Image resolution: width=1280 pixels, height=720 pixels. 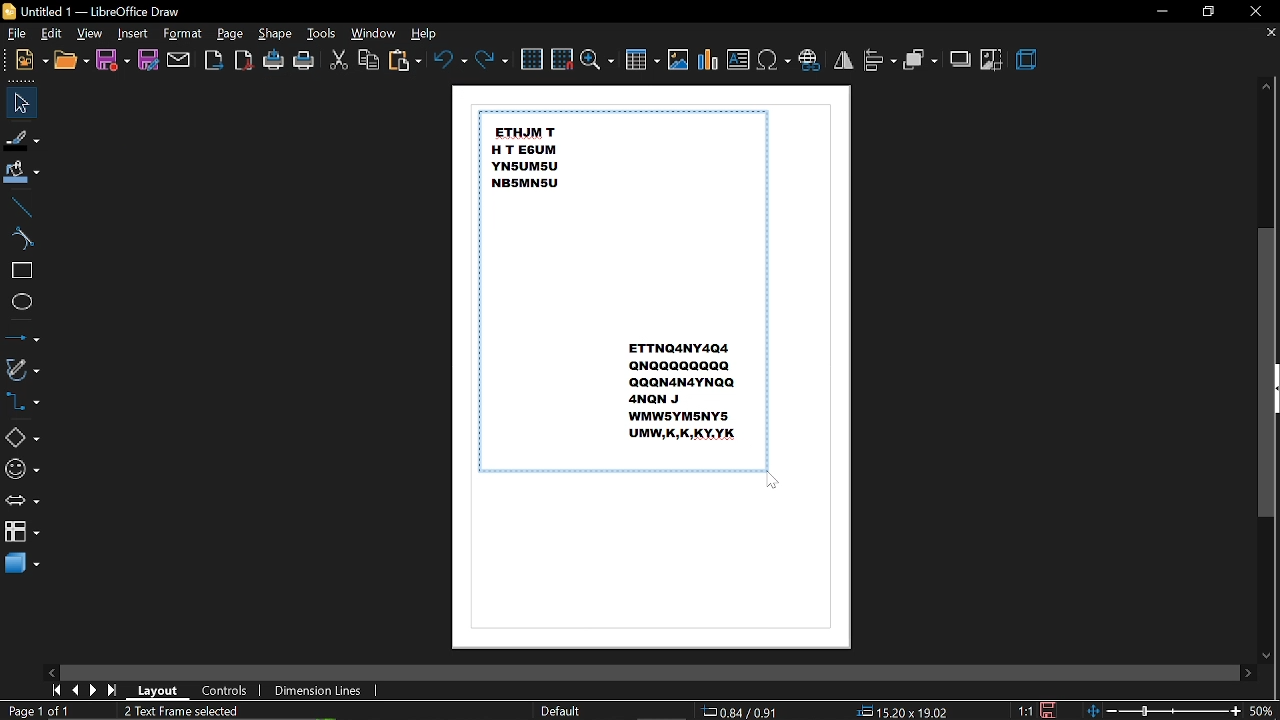 What do you see at coordinates (428, 33) in the screenshot?
I see `help` at bounding box center [428, 33].